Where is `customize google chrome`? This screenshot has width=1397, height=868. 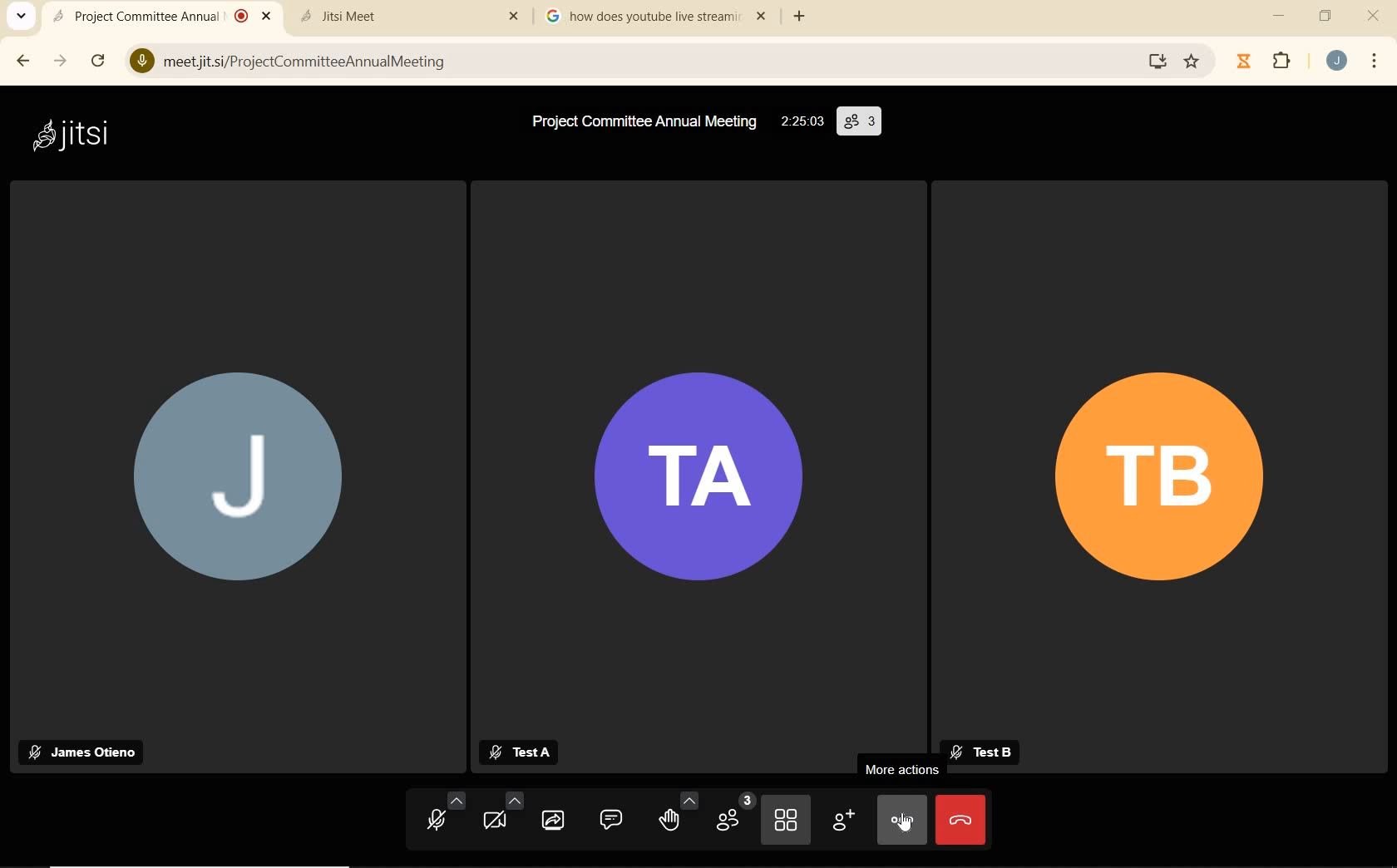 customize google chrome is located at coordinates (1379, 61).